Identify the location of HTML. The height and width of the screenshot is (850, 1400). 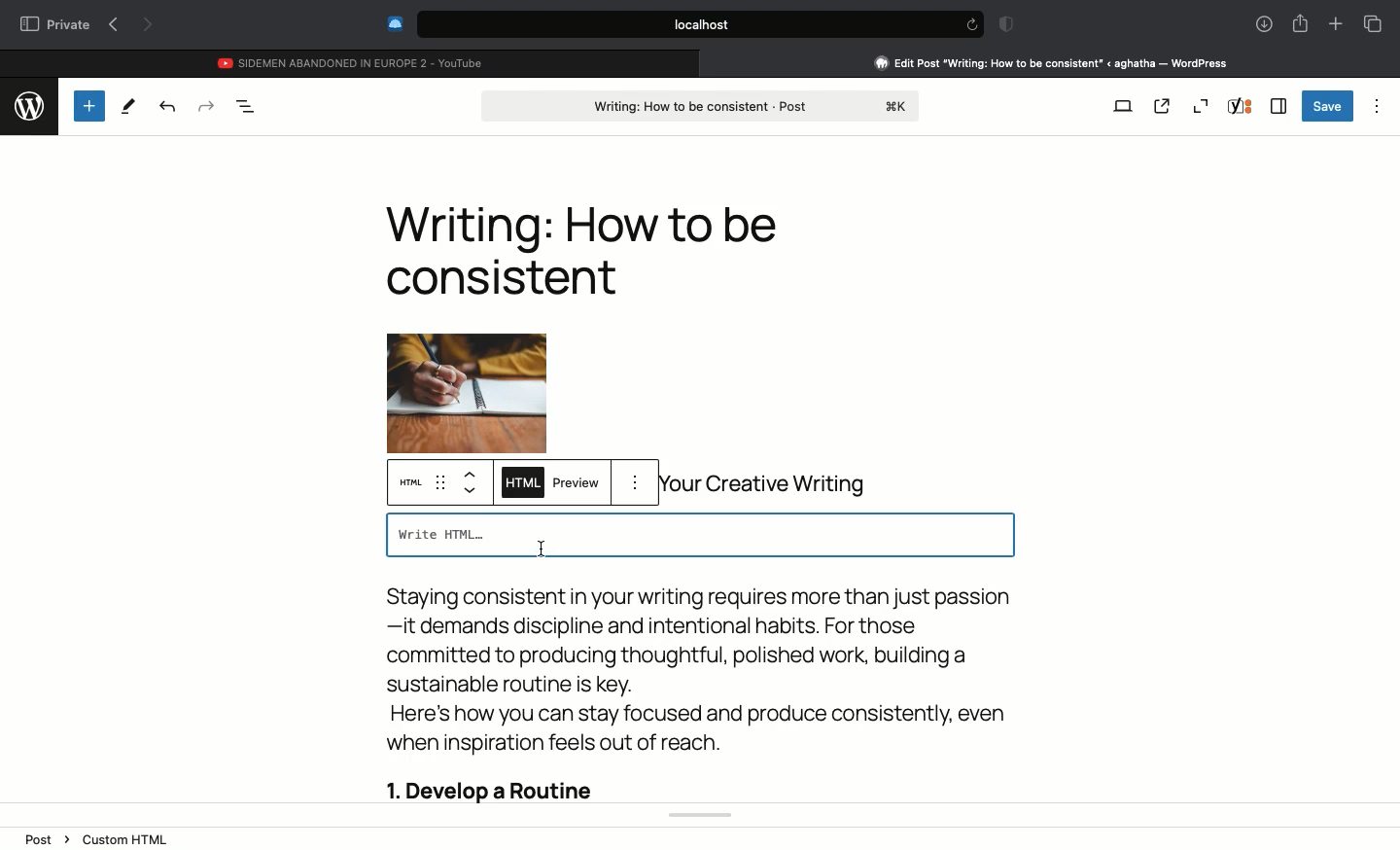
(414, 484).